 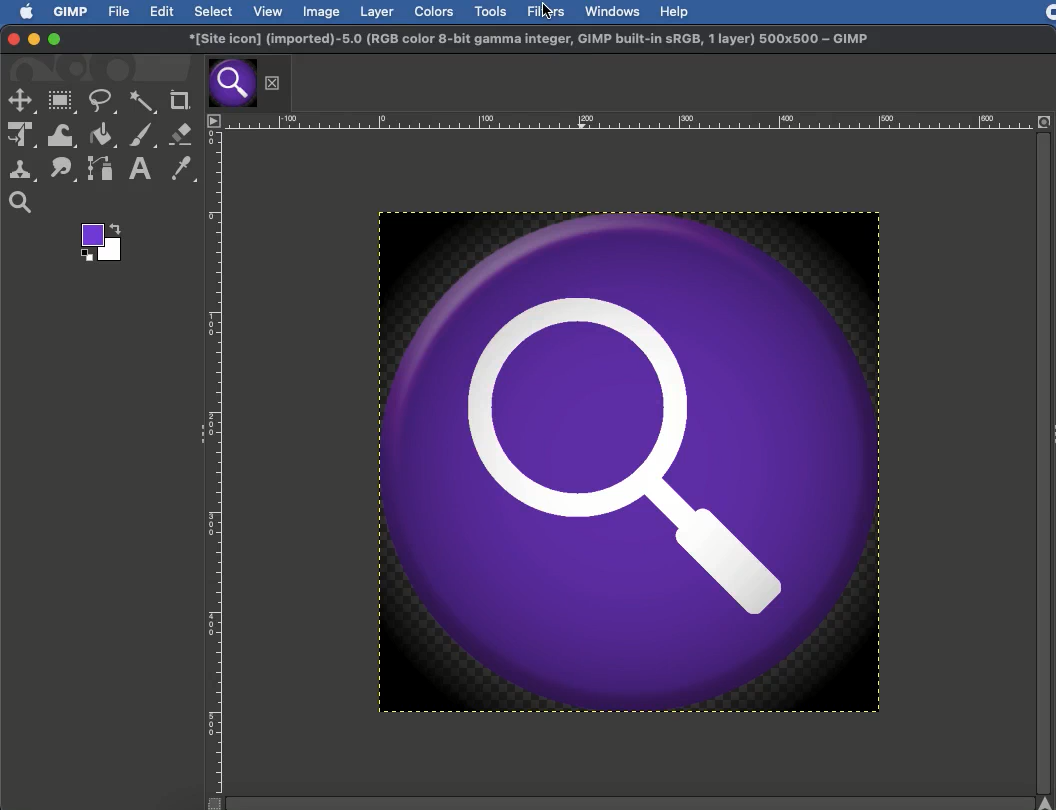 I want to click on Unified transformation, so click(x=21, y=136).